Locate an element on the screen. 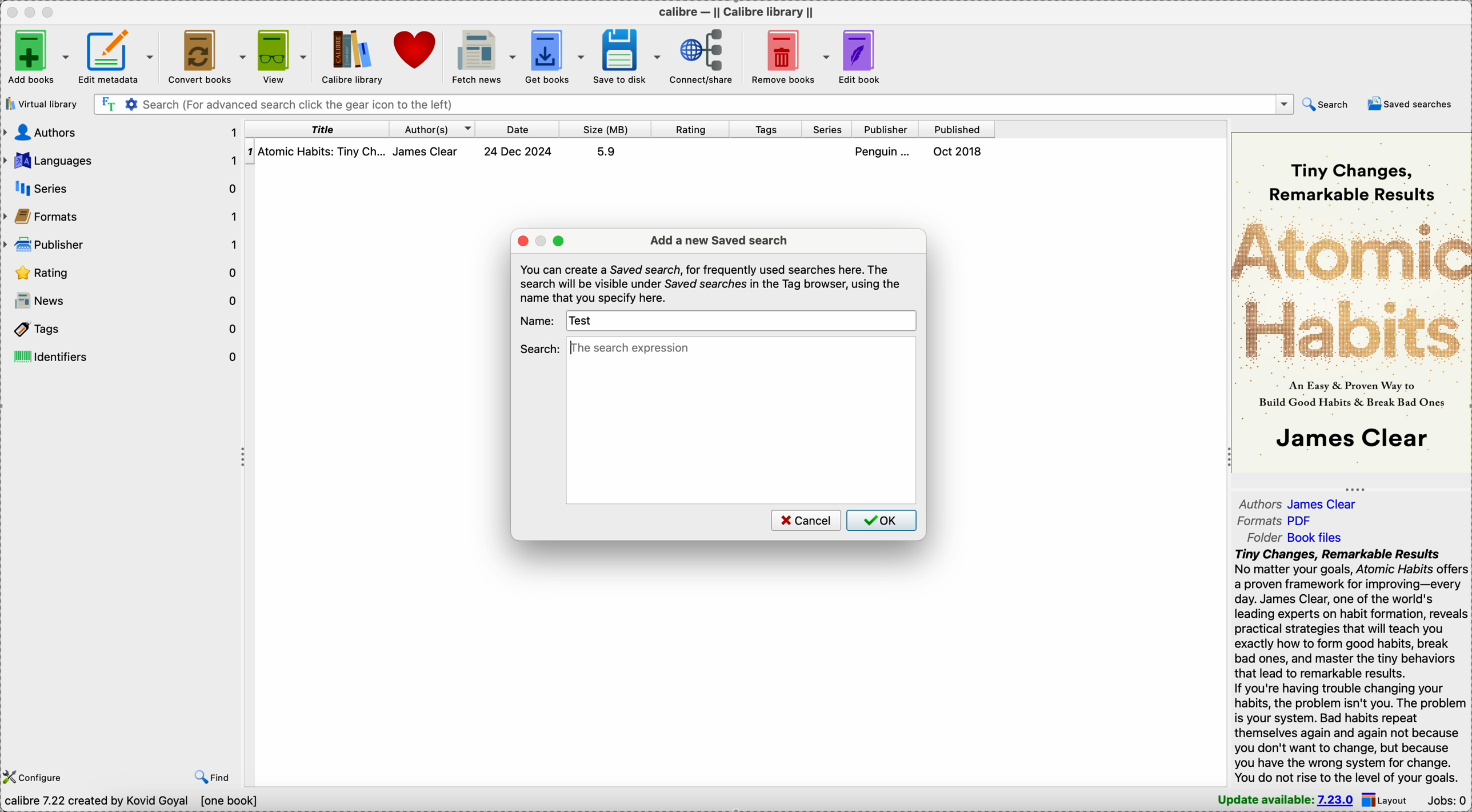  minimize is located at coordinates (542, 241).